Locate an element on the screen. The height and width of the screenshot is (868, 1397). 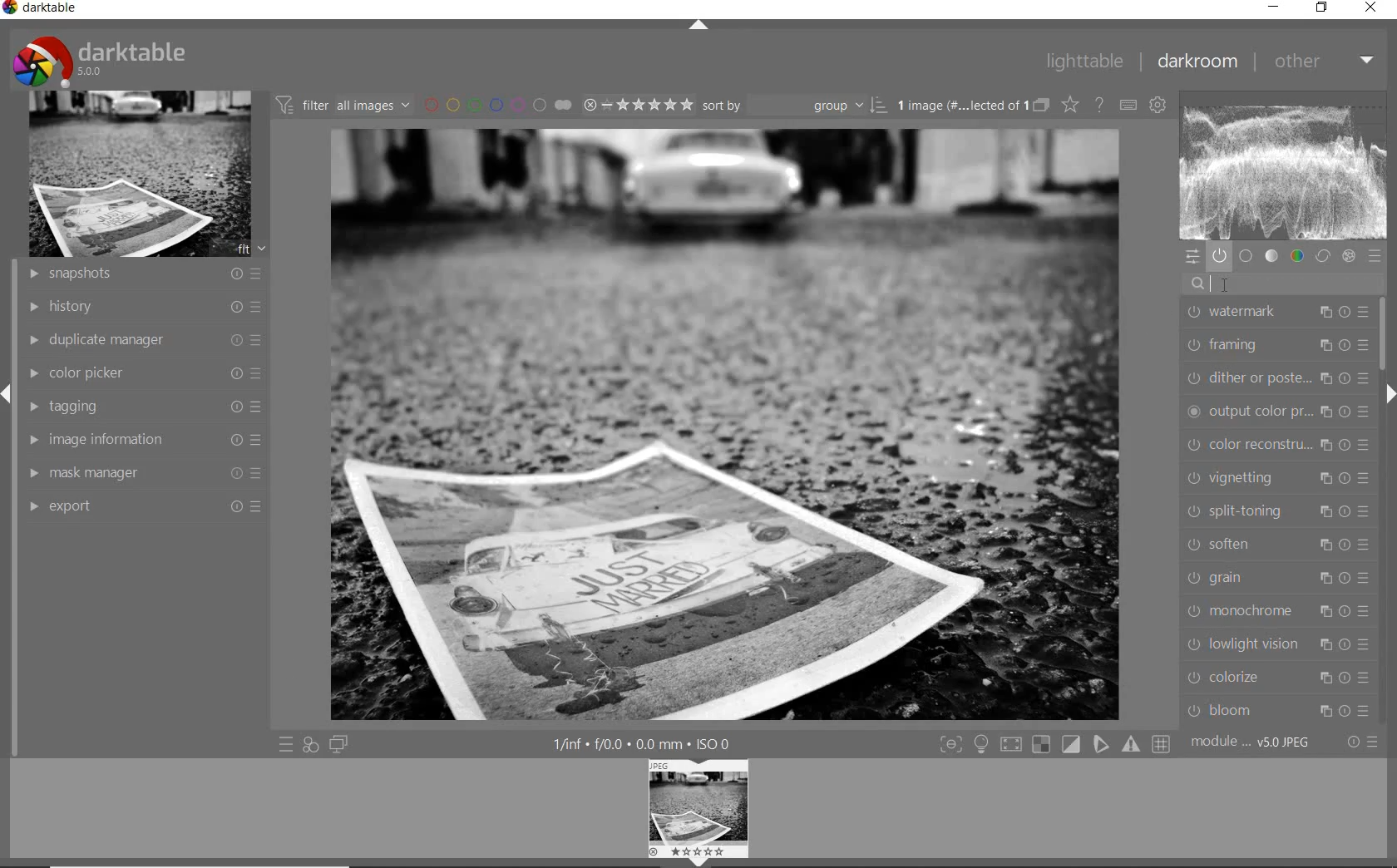
expand/collapse is located at coordinates (698, 27).